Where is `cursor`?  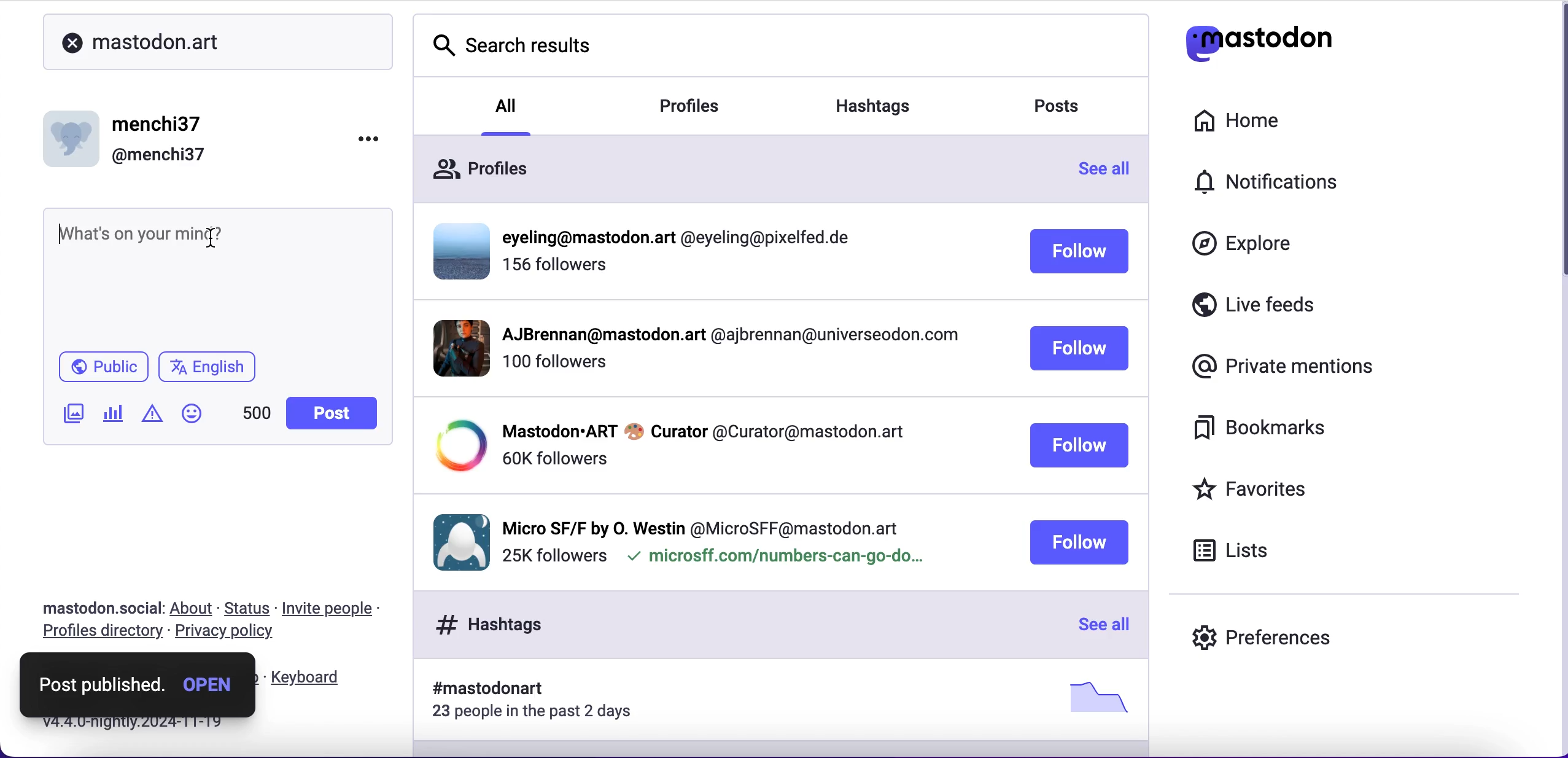
cursor is located at coordinates (208, 239).